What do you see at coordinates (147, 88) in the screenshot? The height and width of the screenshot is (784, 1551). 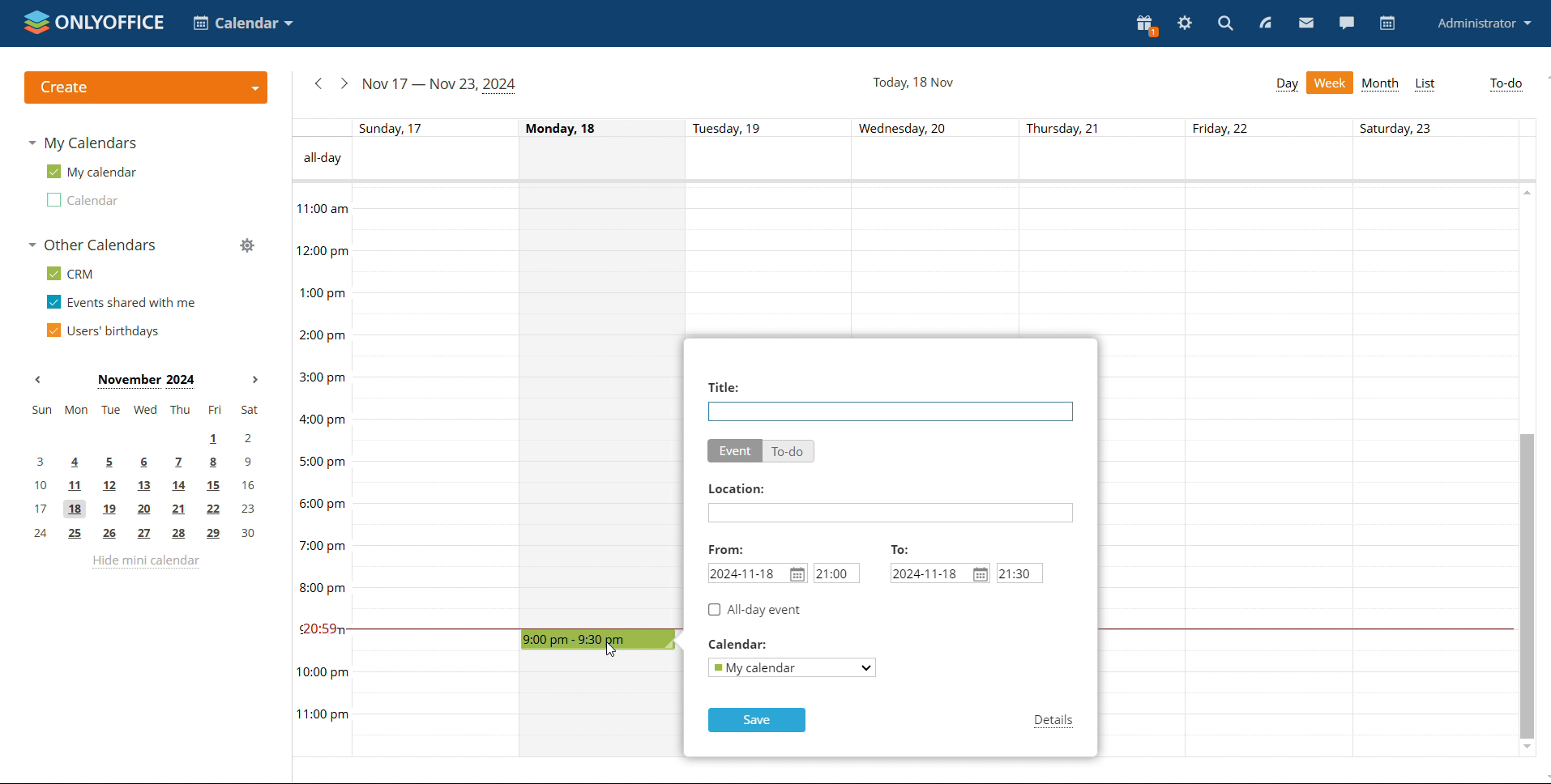 I see `create` at bounding box center [147, 88].